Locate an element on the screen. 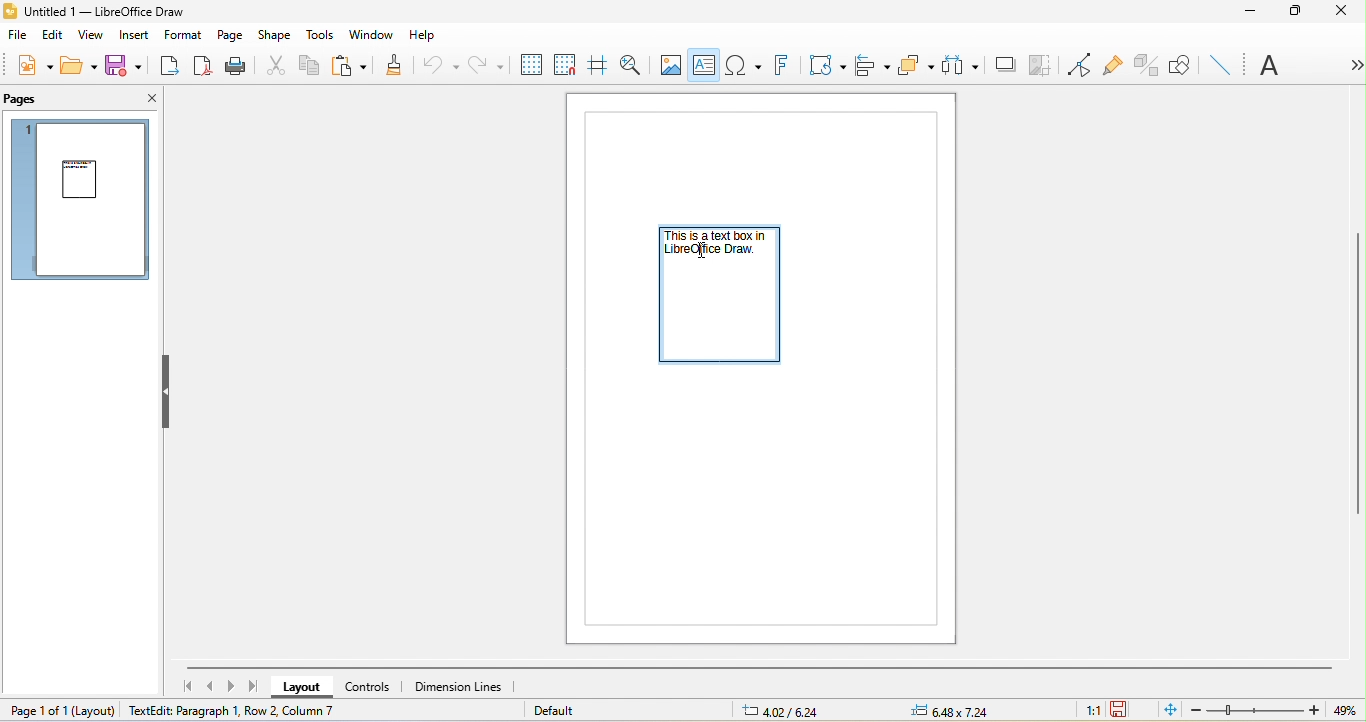 The image size is (1366, 722). controls is located at coordinates (375, 686).